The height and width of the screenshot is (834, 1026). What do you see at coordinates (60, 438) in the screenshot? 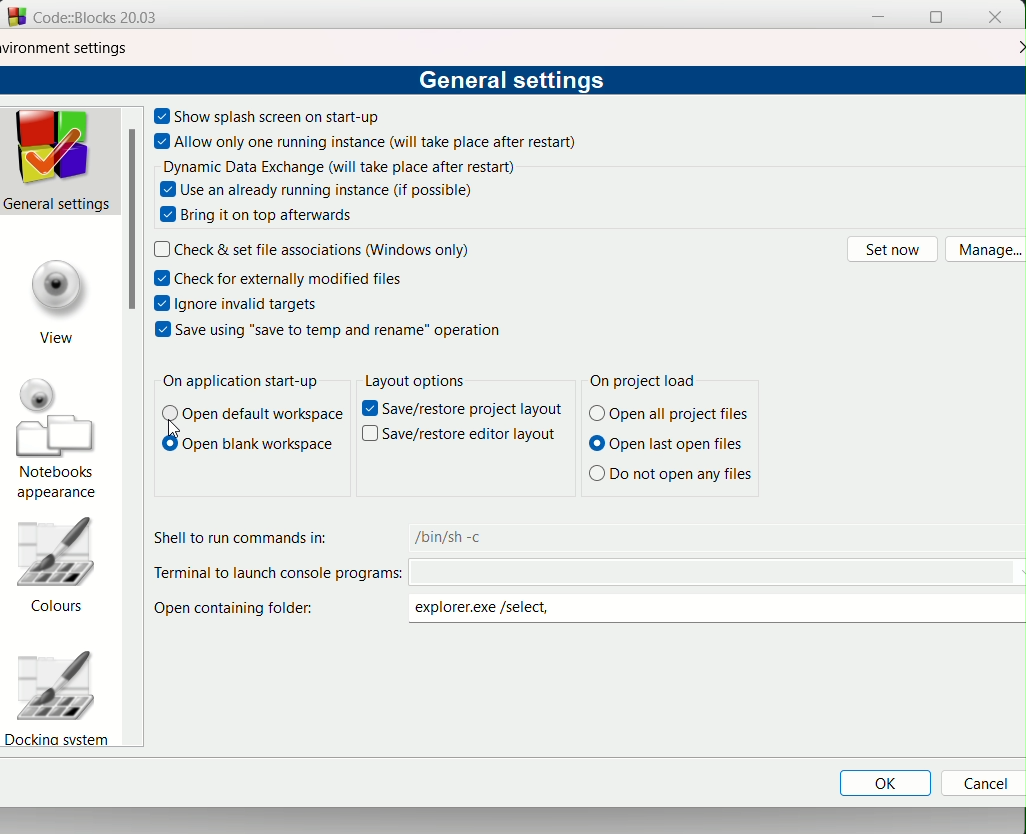
I see `notebooks apperances` at bounding box center [60, 438].